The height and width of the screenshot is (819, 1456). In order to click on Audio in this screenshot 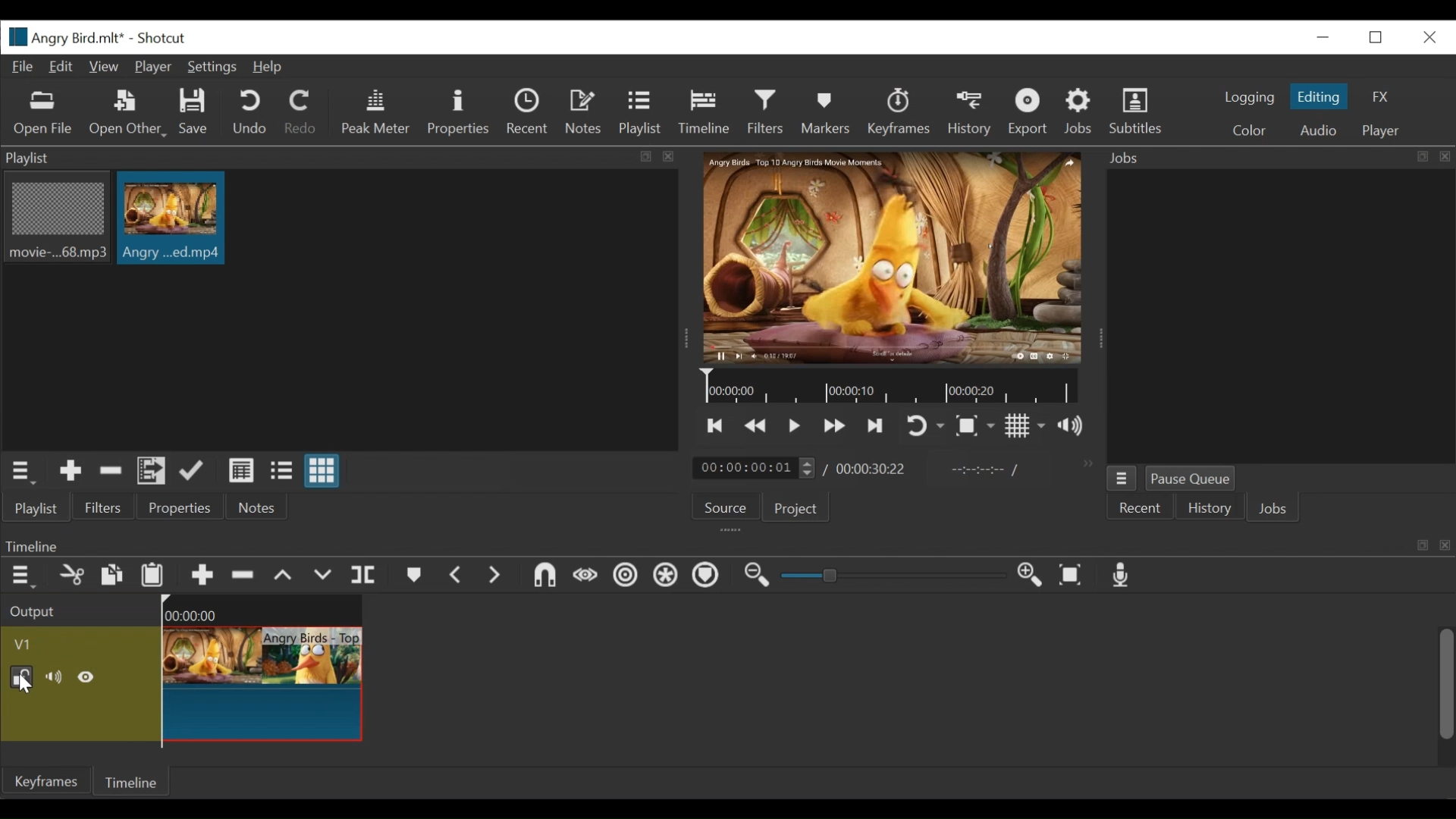, I will do `click(1316, 130)`.